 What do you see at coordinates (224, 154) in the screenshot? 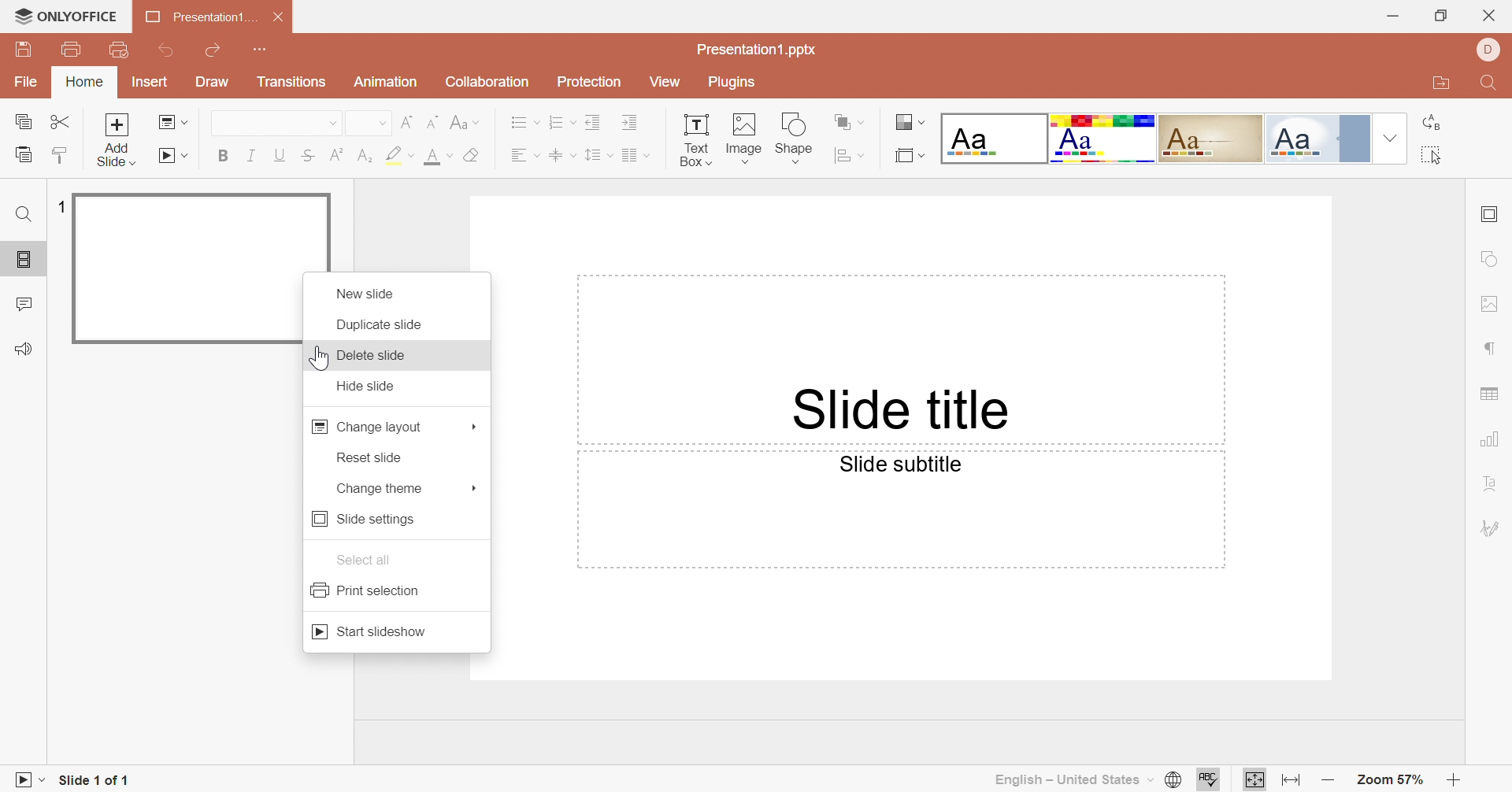
I see `Bold` at bounding box center [224, 154].